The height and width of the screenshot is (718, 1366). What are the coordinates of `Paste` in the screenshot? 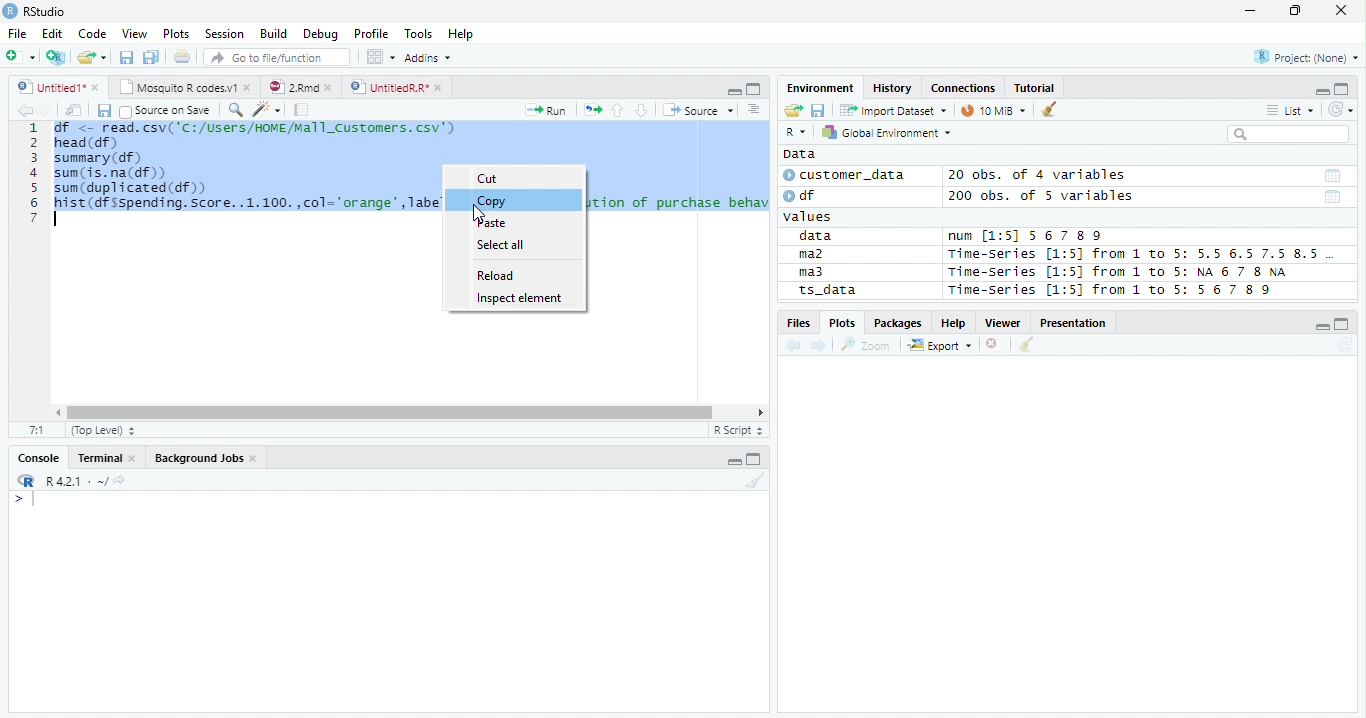 It's located at (491, 224).